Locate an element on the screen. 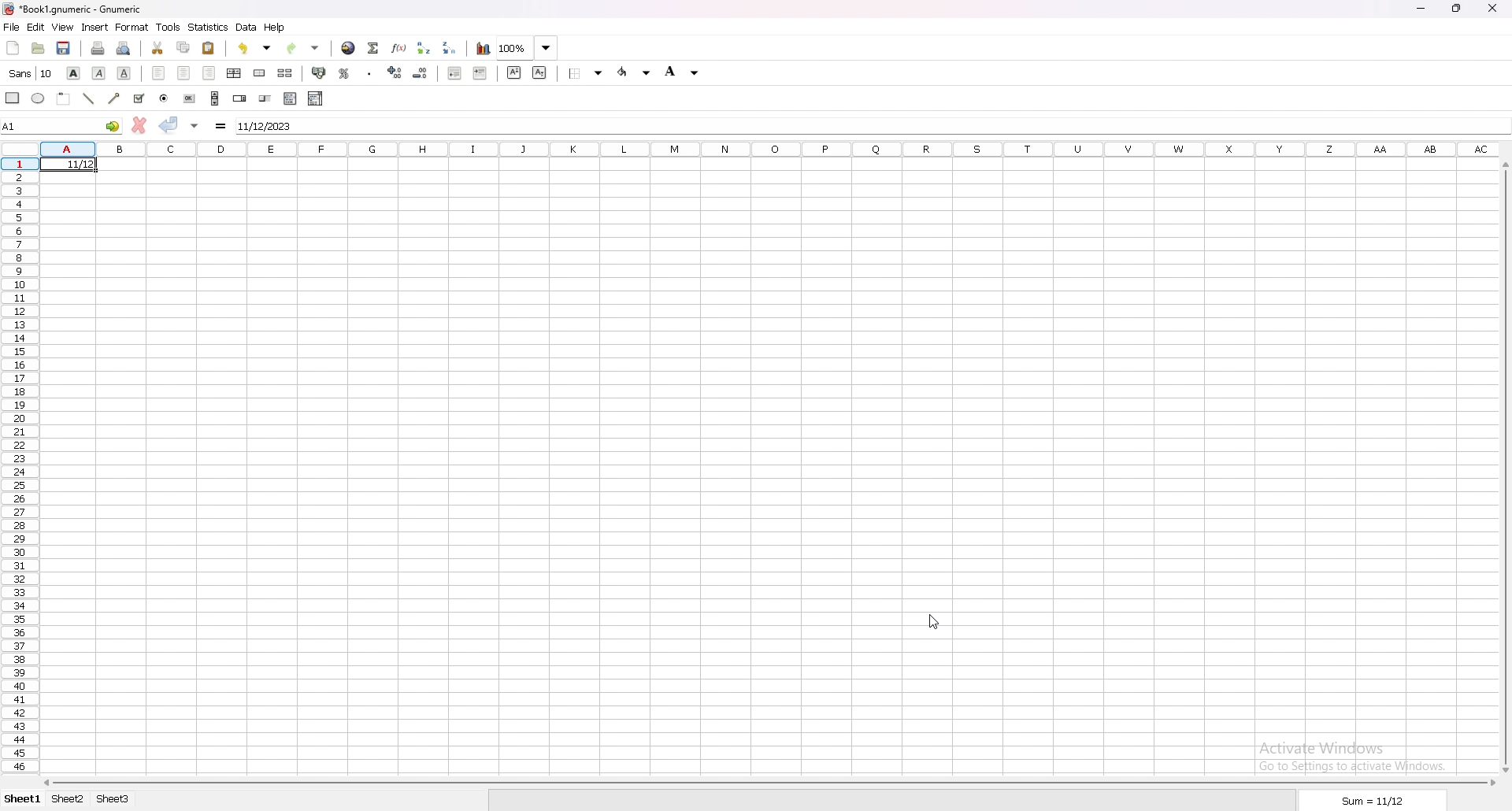 Image resolution: width=1512 pixels, height=811 pixels. view is located at coordinates (61, 28).